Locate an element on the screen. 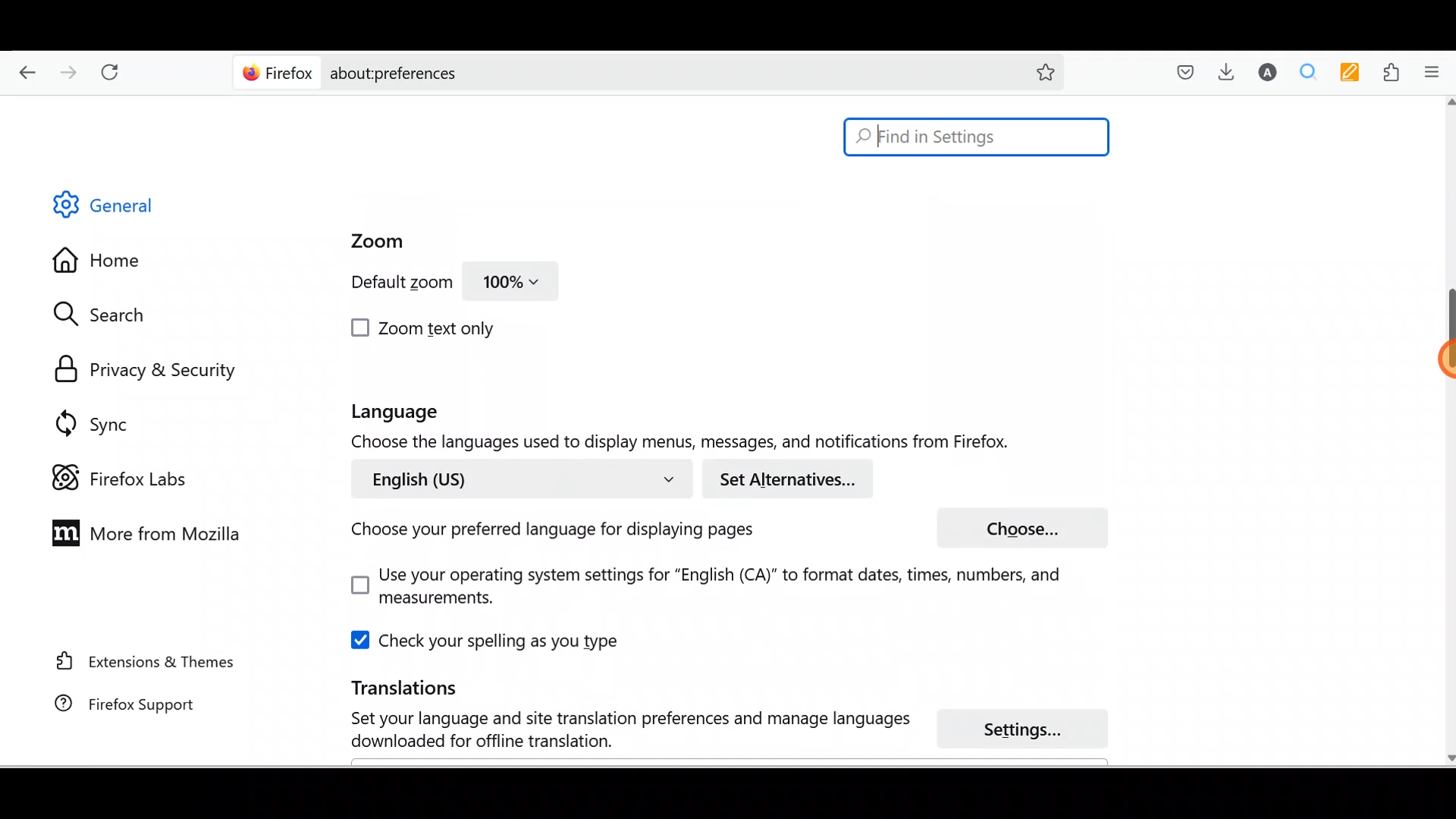 The height and width of the screenshot is (819, 1456). Firefox is located at coordinates (278, 72).